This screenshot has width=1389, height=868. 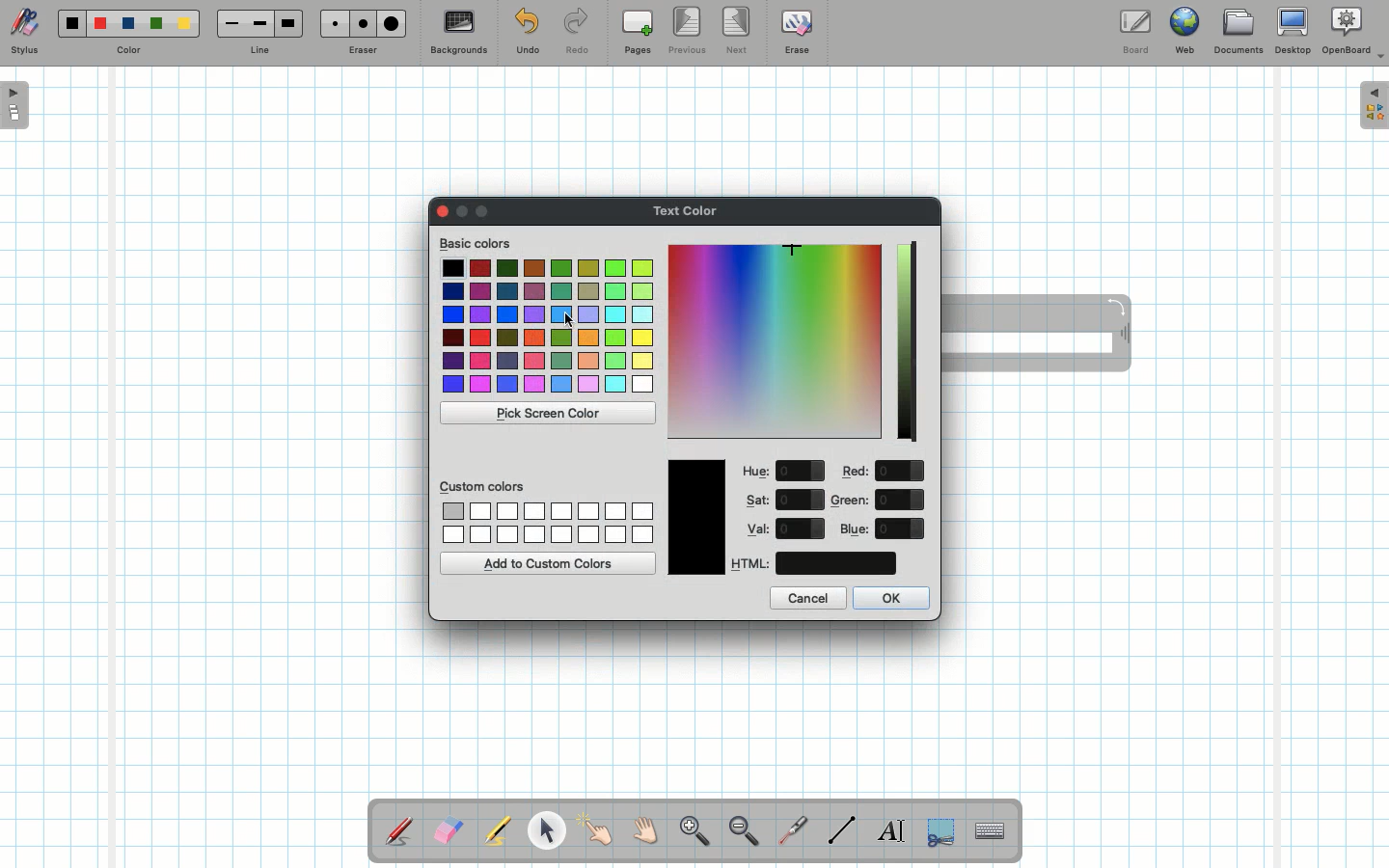 What do you see at coordinates (70, 23) in the screenshot?
I see `Black` at bounding box center [70, 23].